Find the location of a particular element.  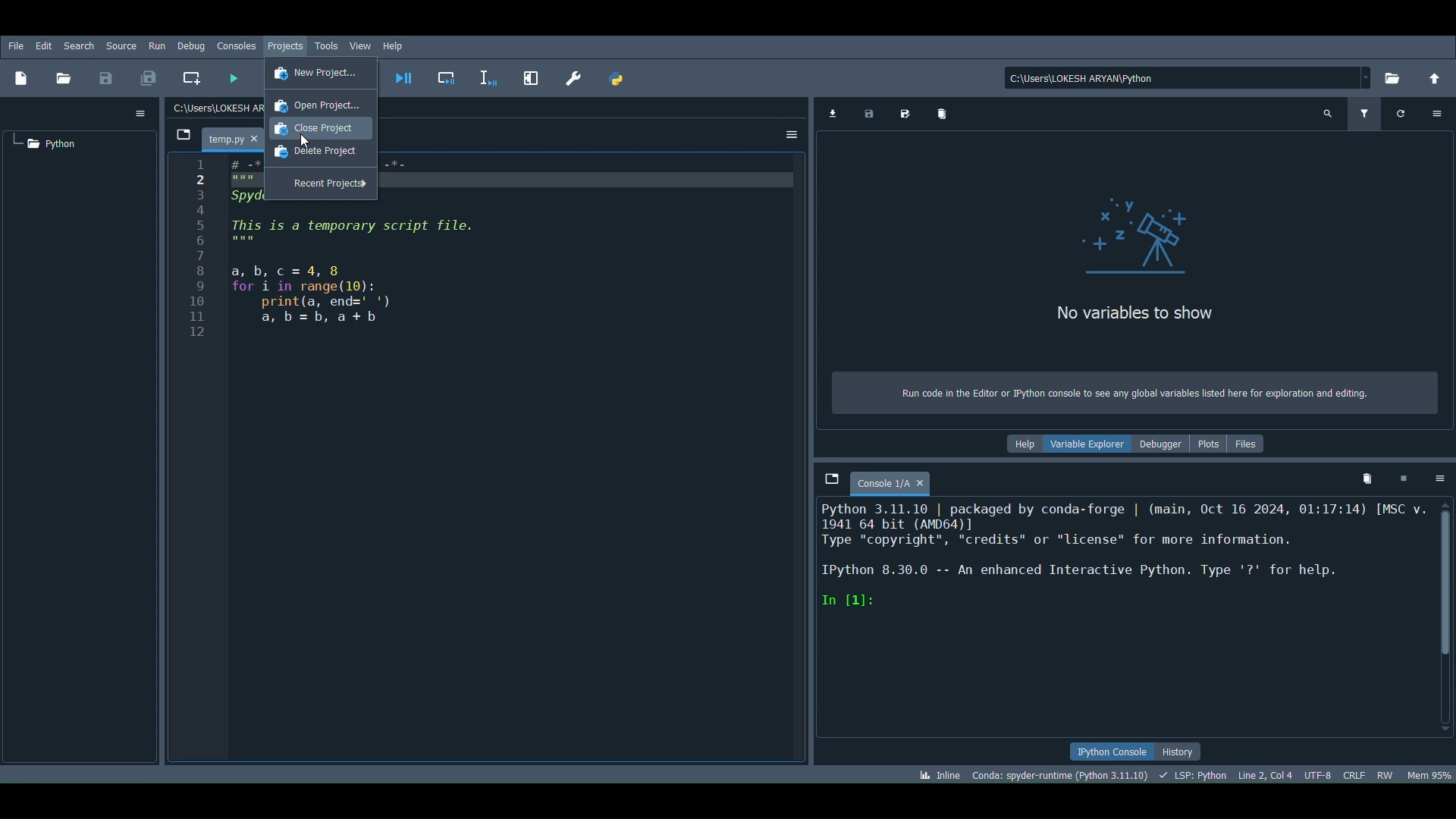

Console name is located at coordinates (898, 481).